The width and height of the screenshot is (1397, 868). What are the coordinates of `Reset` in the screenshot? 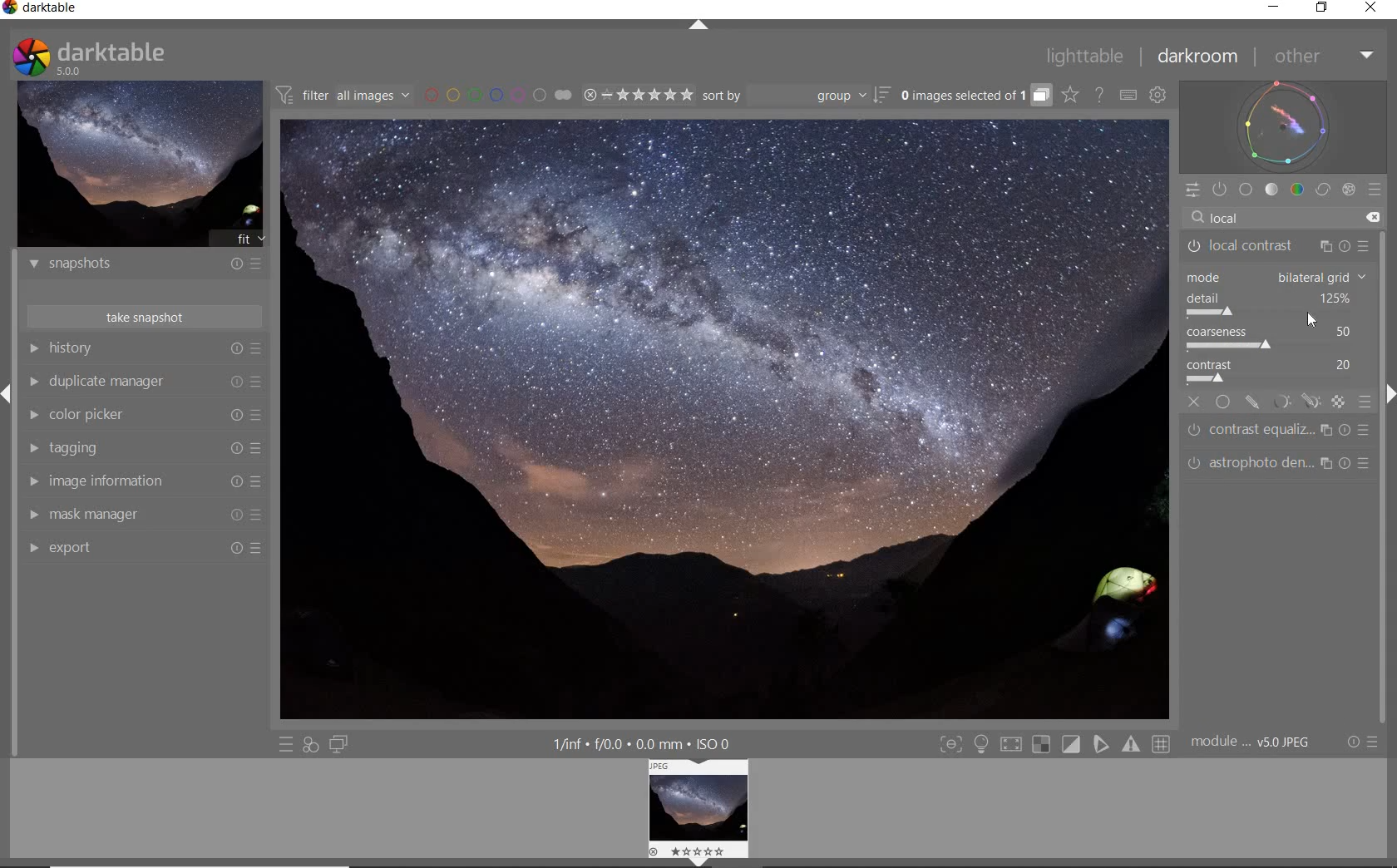 It's located at (233, 548).